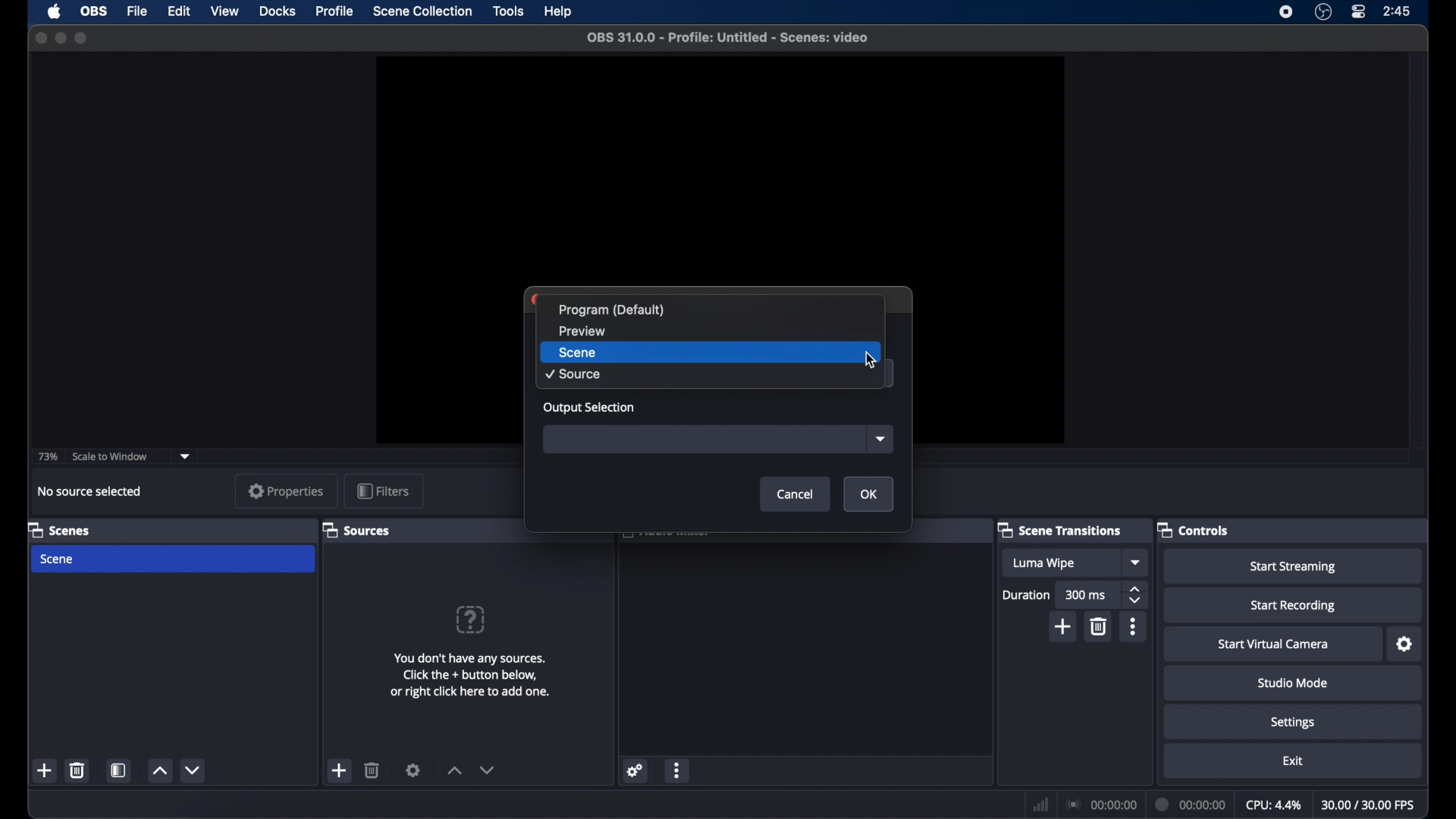 Image resolution: width=1456 pixels, height=819 pixels. I want to click on dropdown, so click(1137, 562).